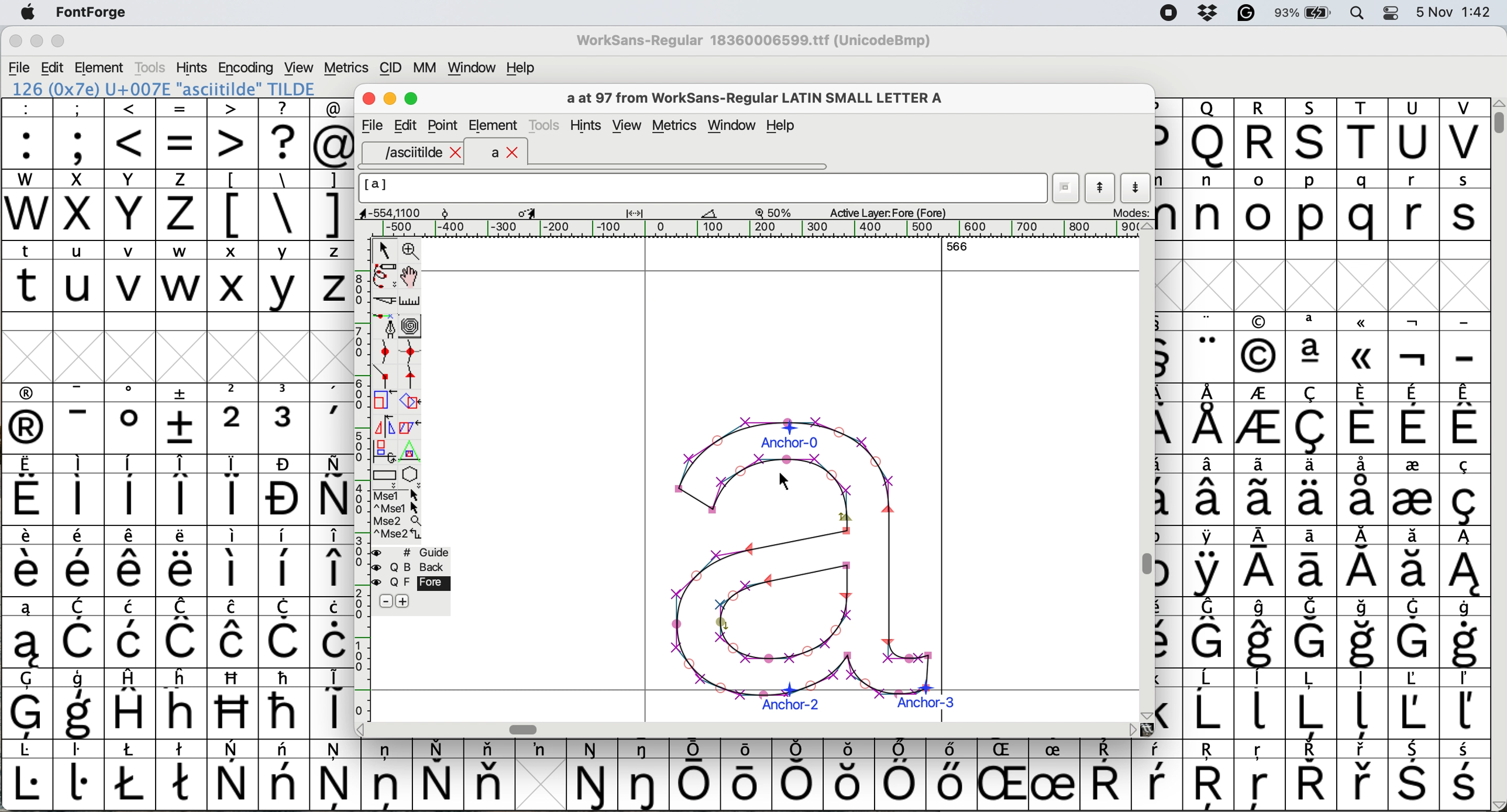 This screenshot has height=812, width=1507. I want to click on add a curve point, so click(386, 352).